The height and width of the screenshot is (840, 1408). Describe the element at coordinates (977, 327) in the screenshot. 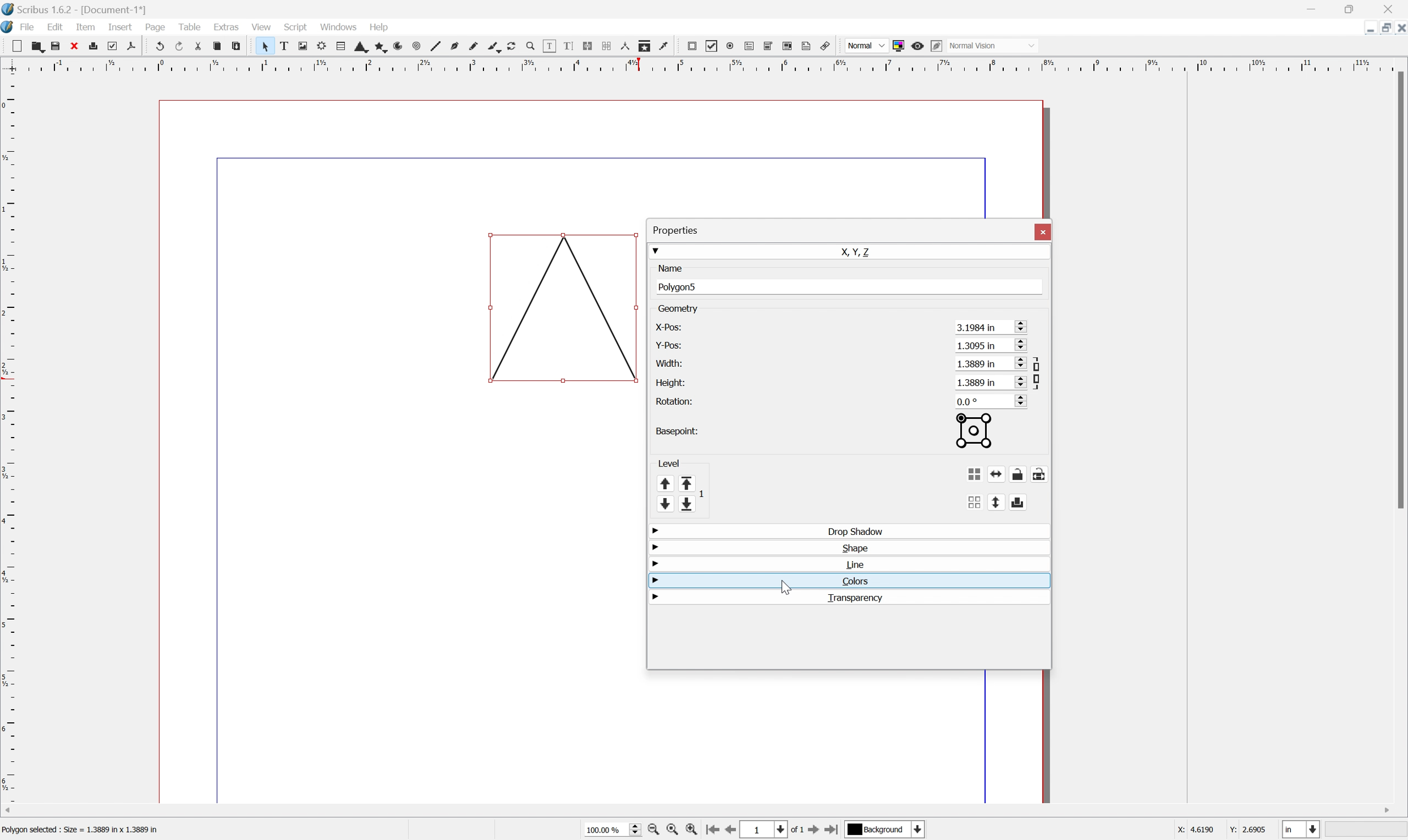

I see `3.1984 in` at that location.